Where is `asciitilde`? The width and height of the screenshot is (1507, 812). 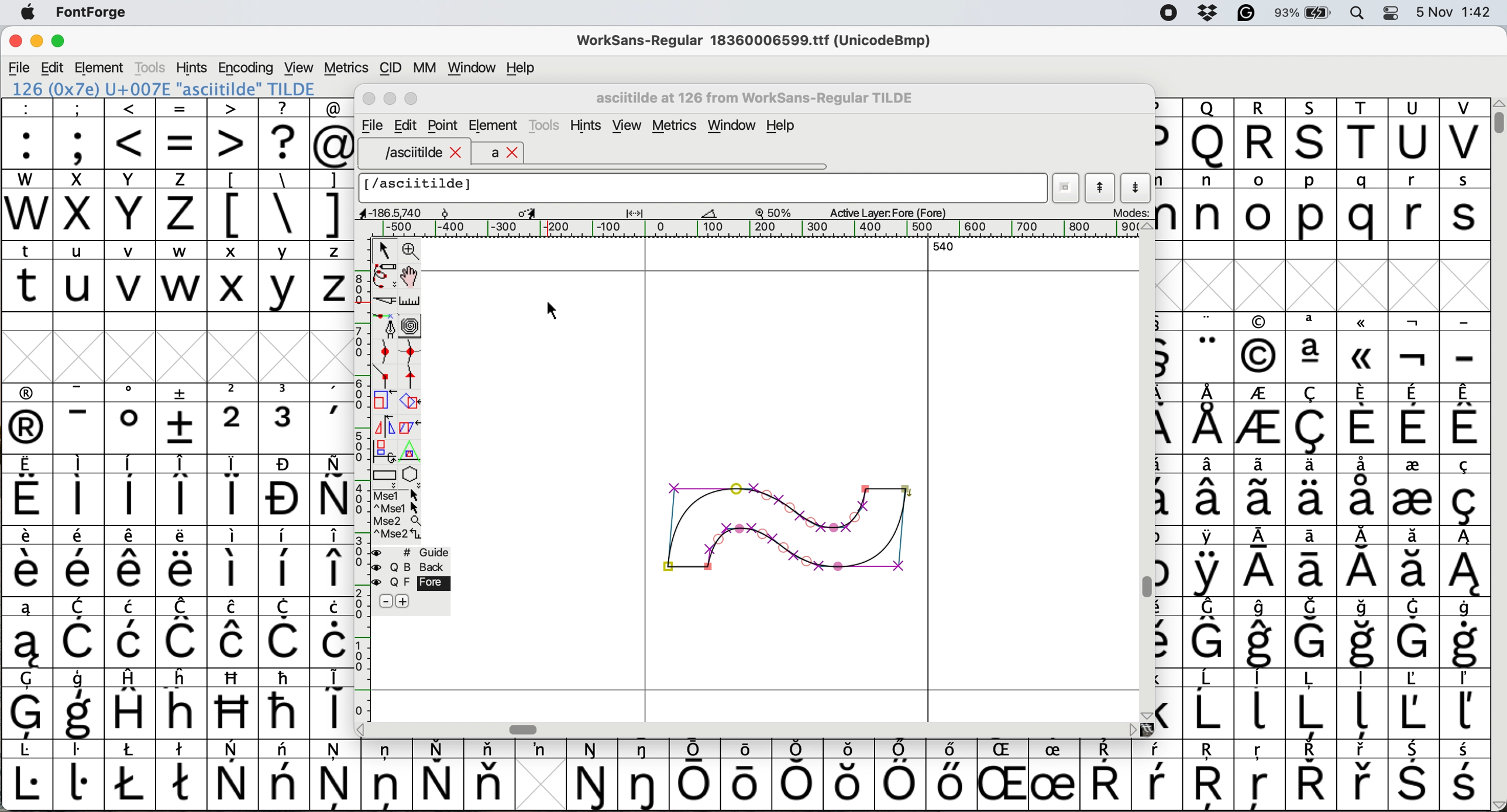
asciitilde is located at coordinates (421, 153).